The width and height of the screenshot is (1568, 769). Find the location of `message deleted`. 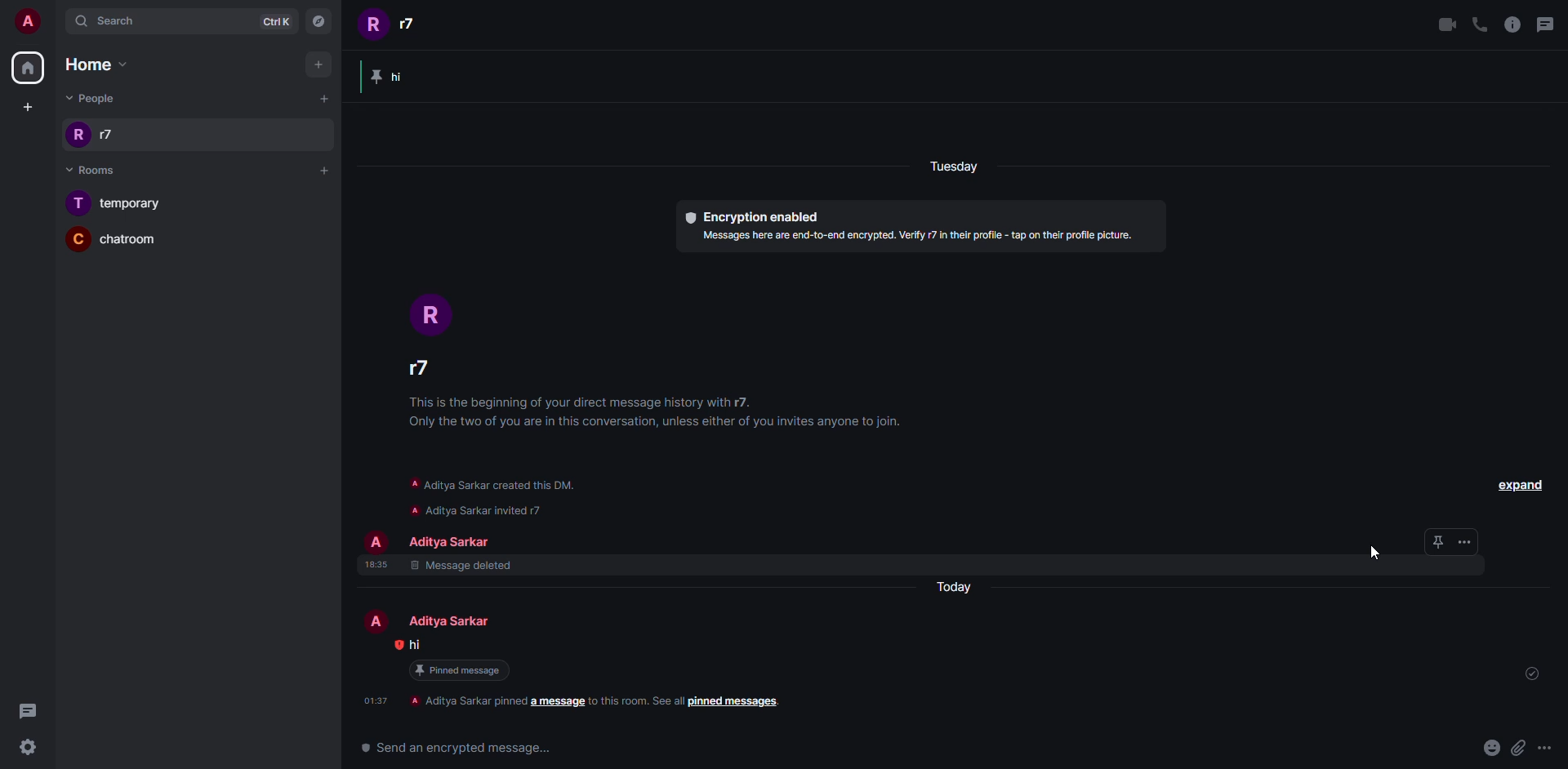

message deleted is located at coordinates (464, 568).